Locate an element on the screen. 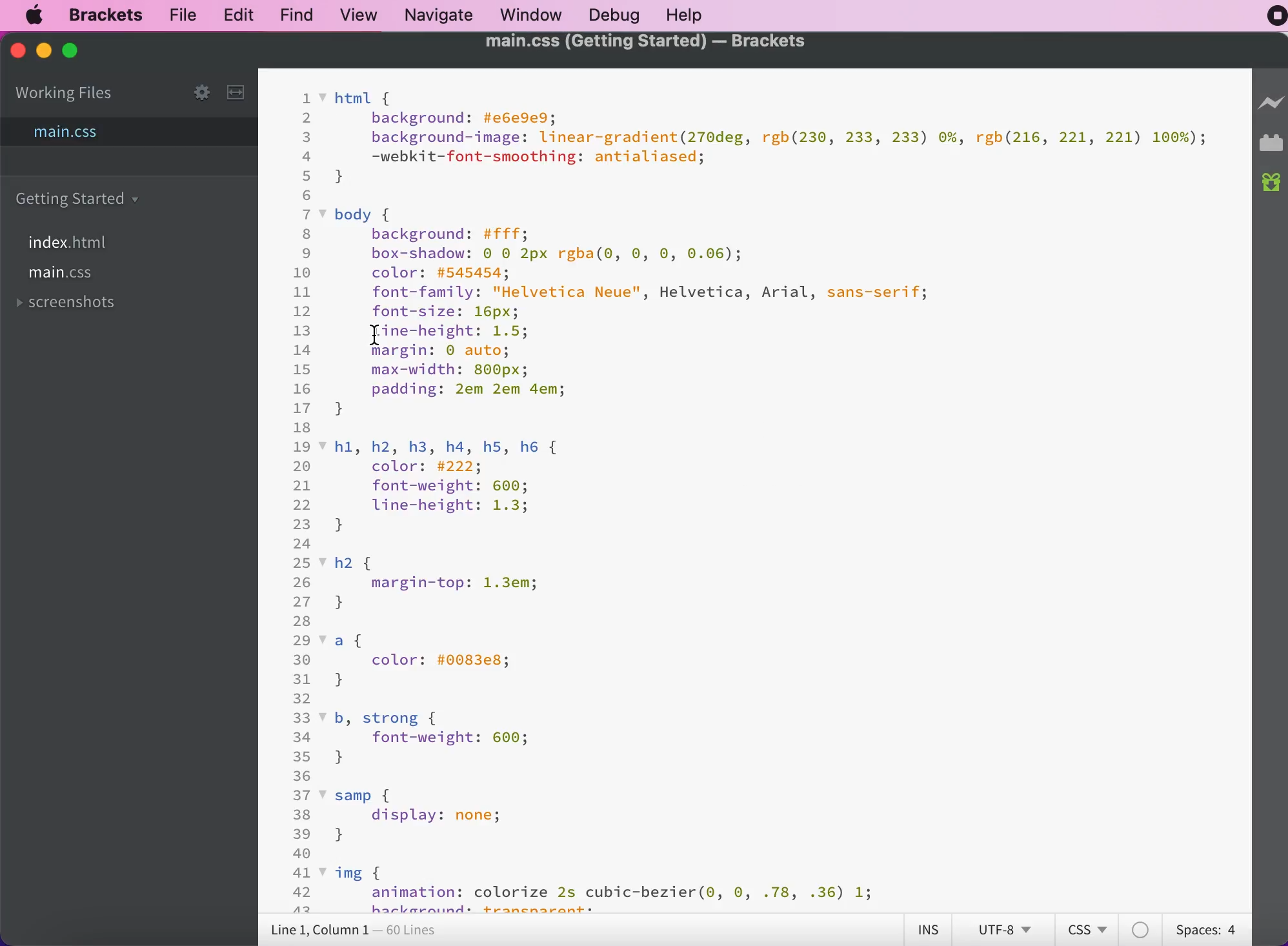 The image size is (1288, 946). new build of brackets is located at coordinates (1271, 183).